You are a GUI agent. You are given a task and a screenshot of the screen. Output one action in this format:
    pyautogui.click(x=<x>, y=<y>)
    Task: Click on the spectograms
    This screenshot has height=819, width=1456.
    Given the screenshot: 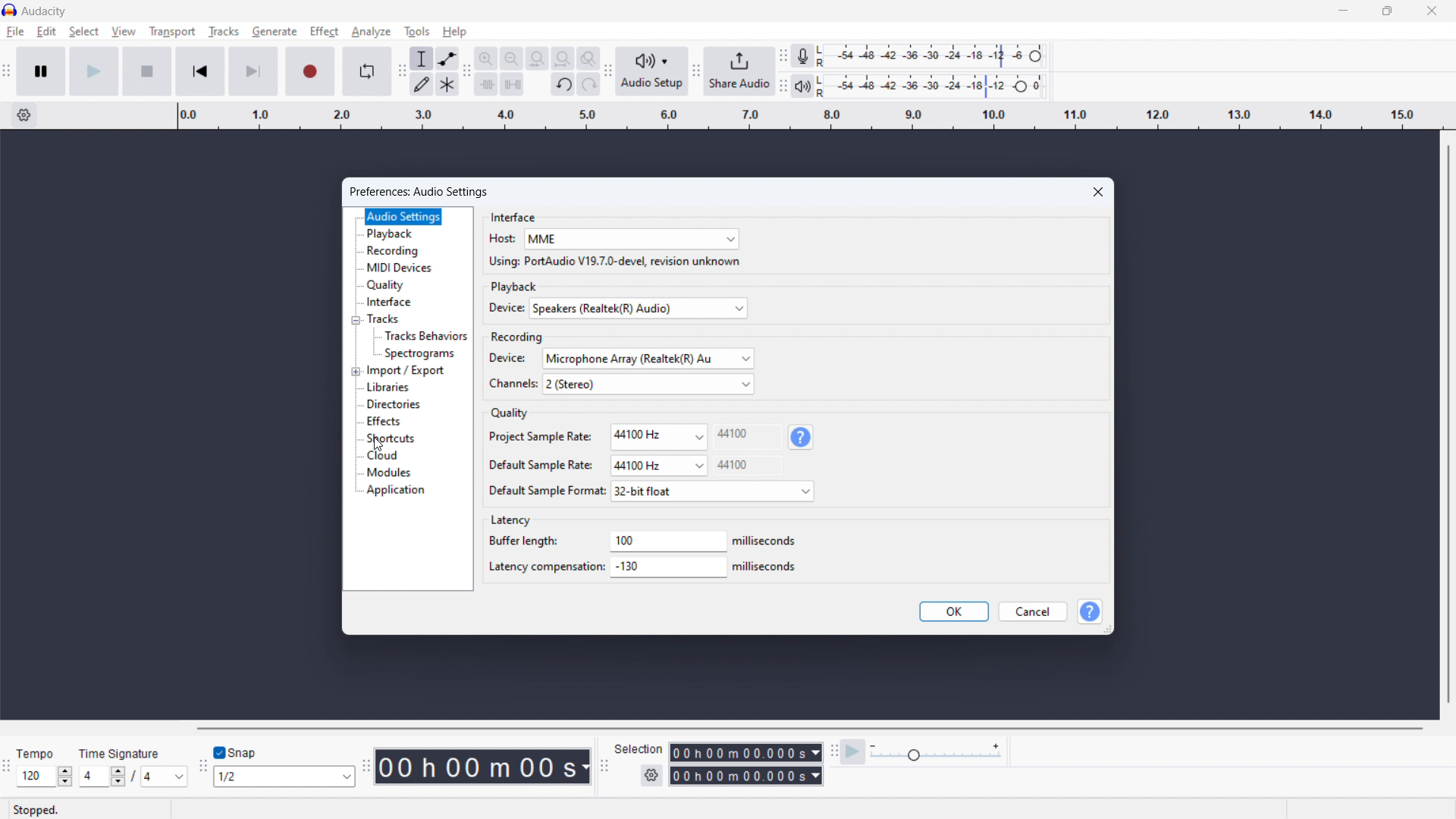 What is the action you would take?
    pyautogui.click(x=421, y=353)
    